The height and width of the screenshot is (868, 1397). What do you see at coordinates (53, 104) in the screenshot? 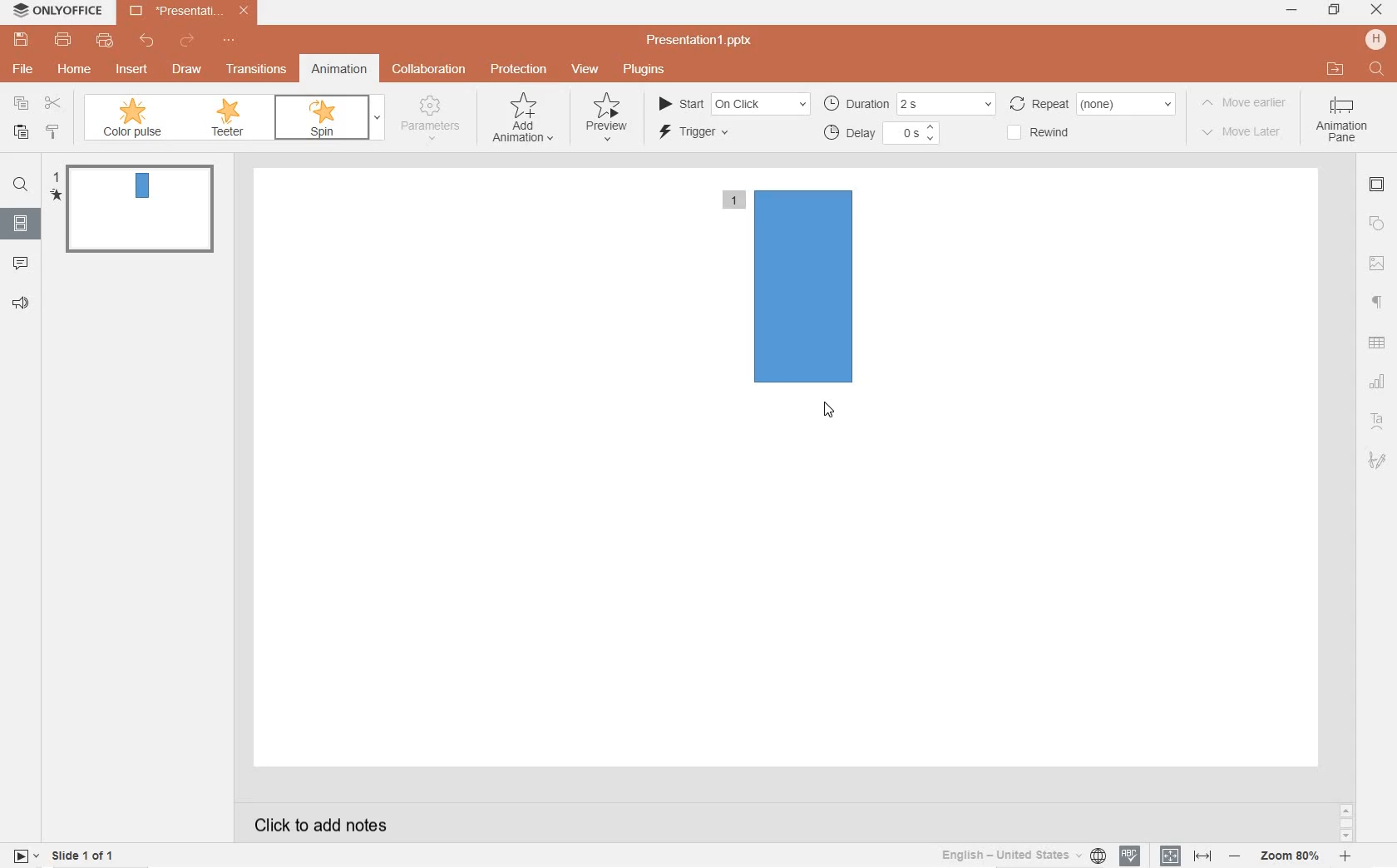
I see `cut` at bounding box center [53, 104].